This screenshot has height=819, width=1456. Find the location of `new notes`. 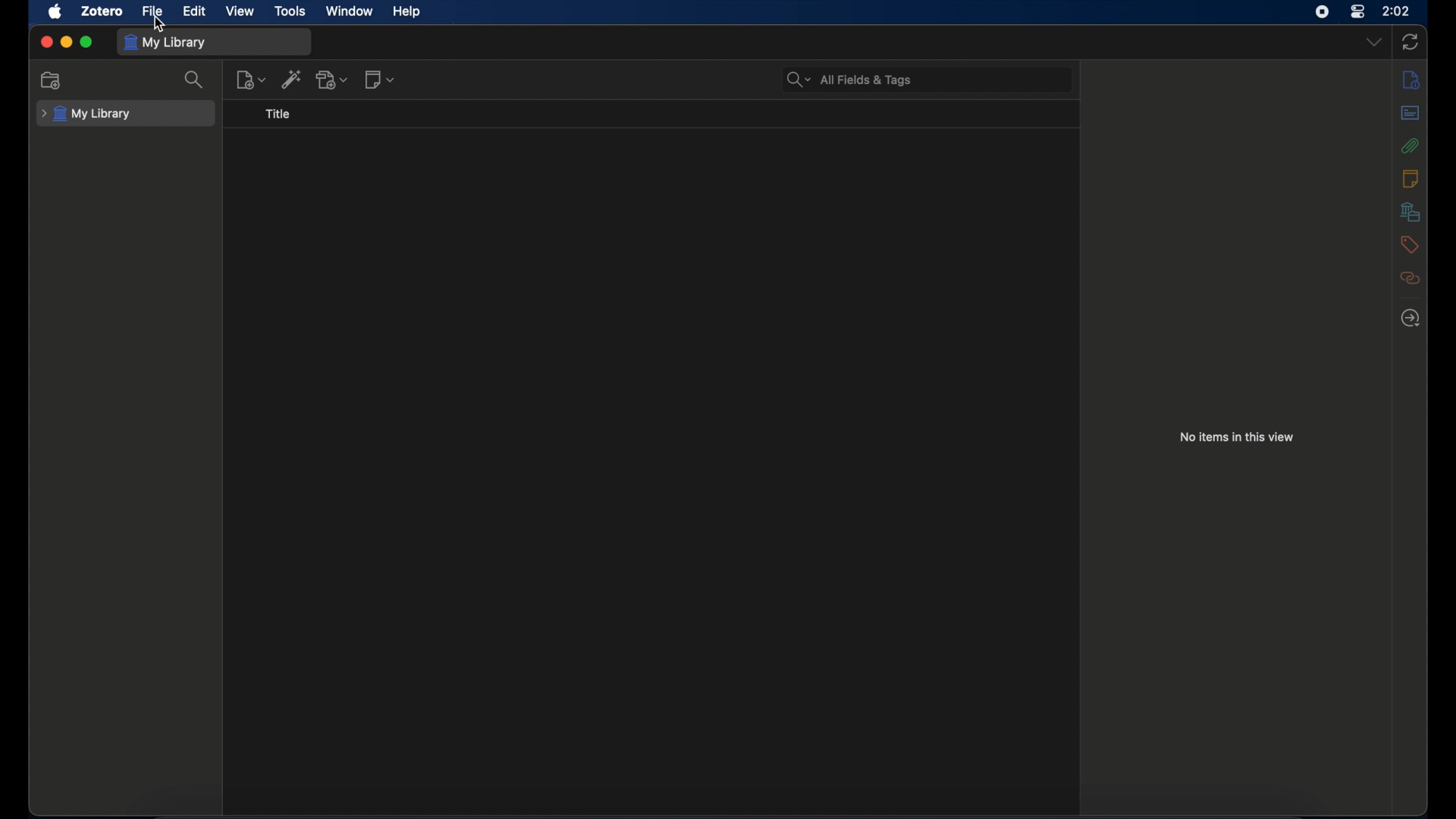

new notes is located at coordinates (381, 80).